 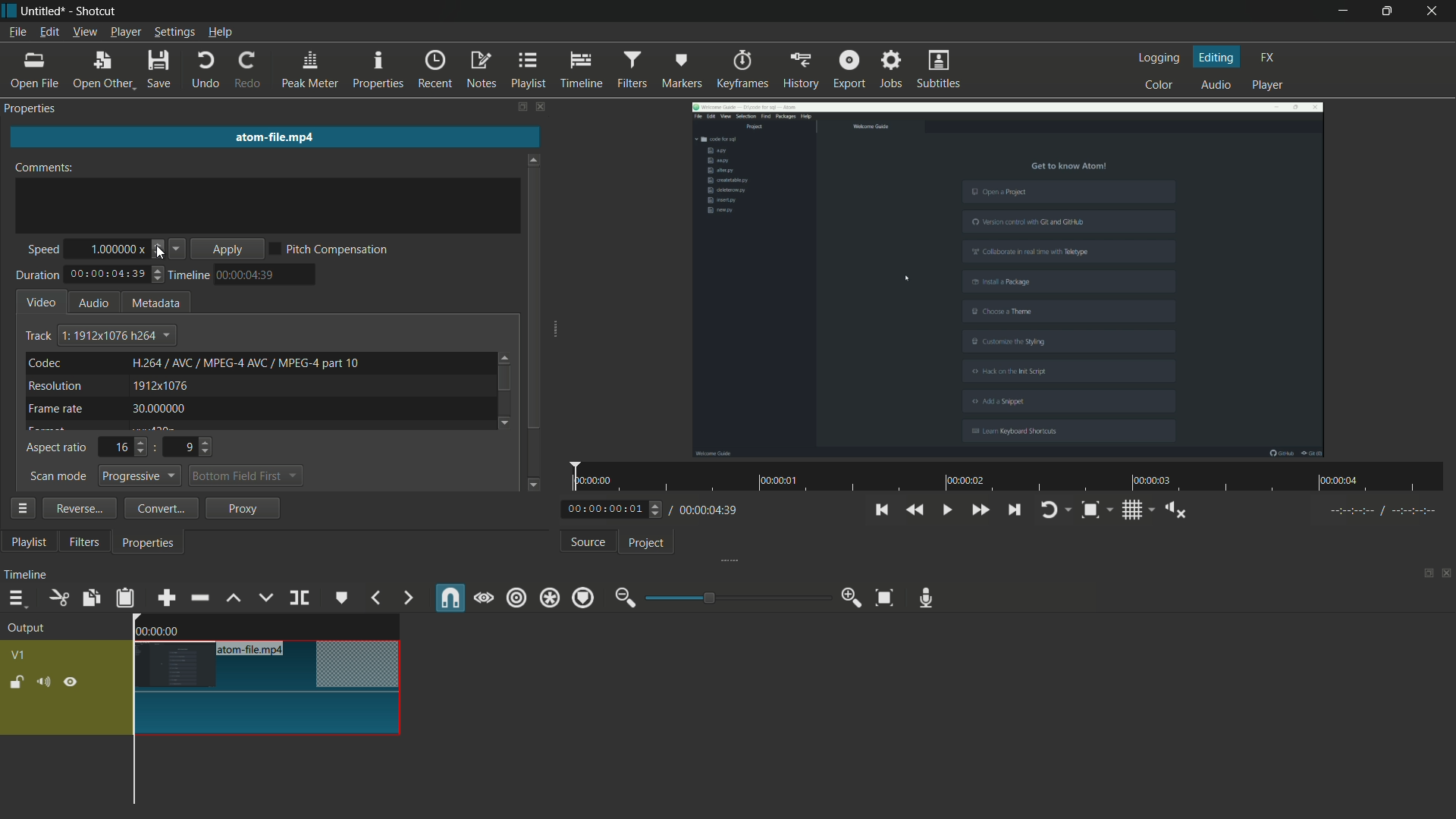 What do you see at coordinates (57, 409) in the screenshot?
I see `frame rate` at bounding box center [57, 409].